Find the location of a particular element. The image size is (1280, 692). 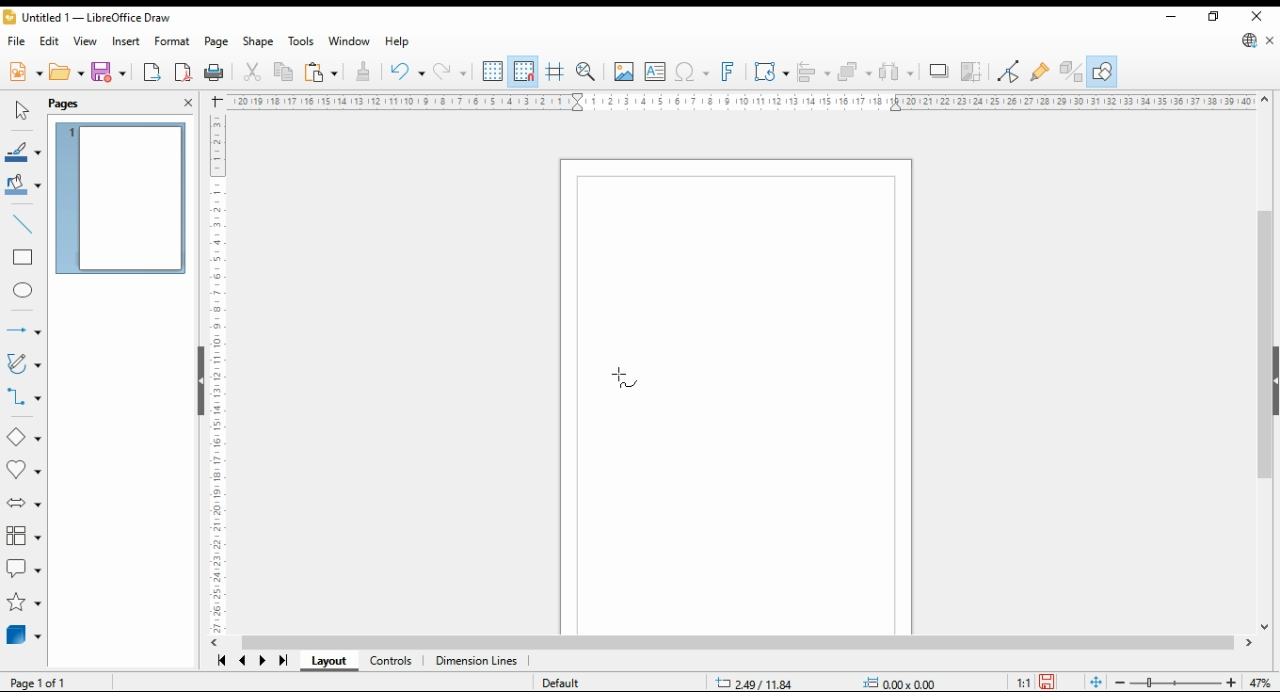

line color is located at coordinates (24, 151).